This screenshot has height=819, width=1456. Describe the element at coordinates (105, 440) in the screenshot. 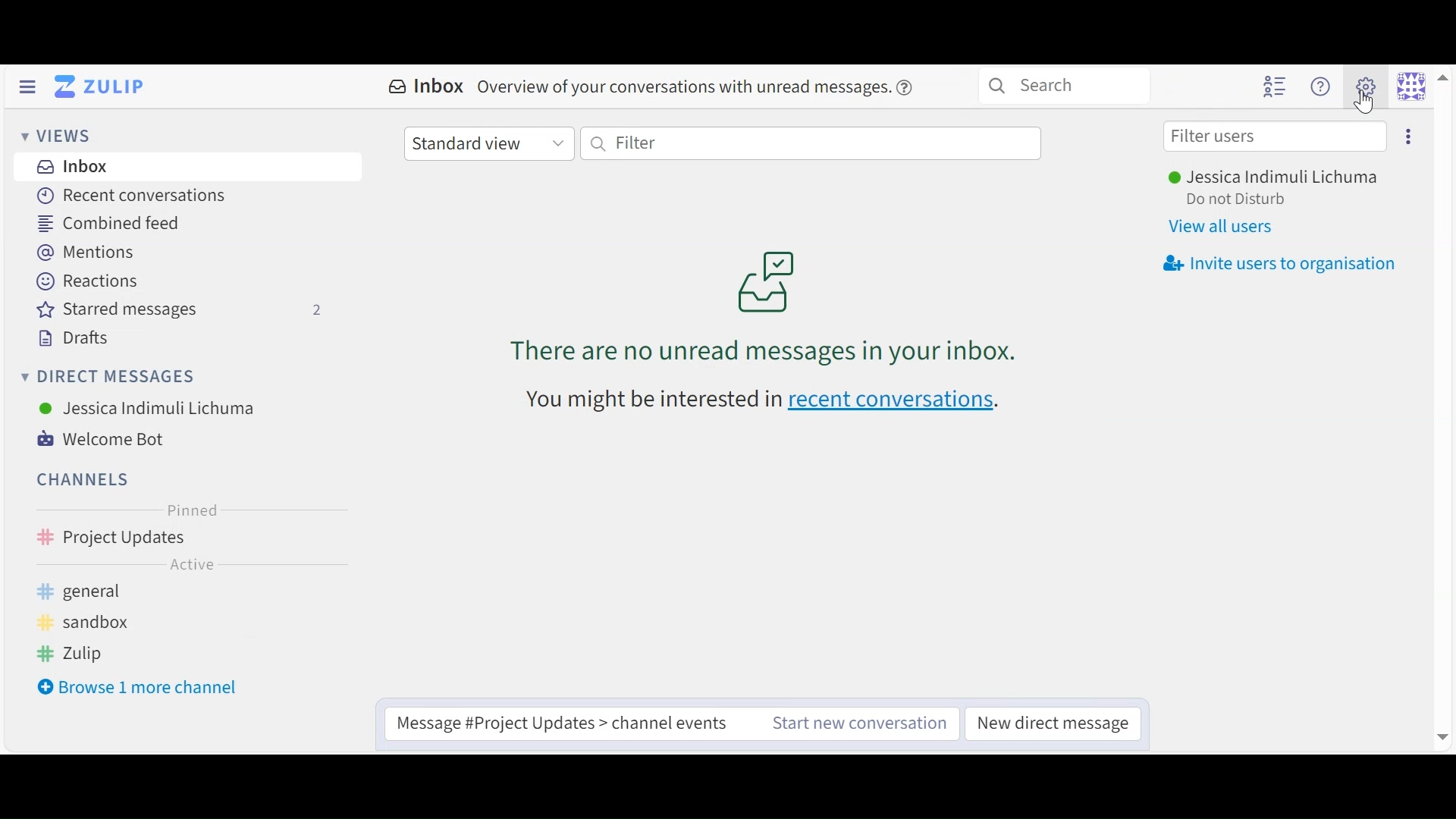

I see `Welcome Bot` at that location.